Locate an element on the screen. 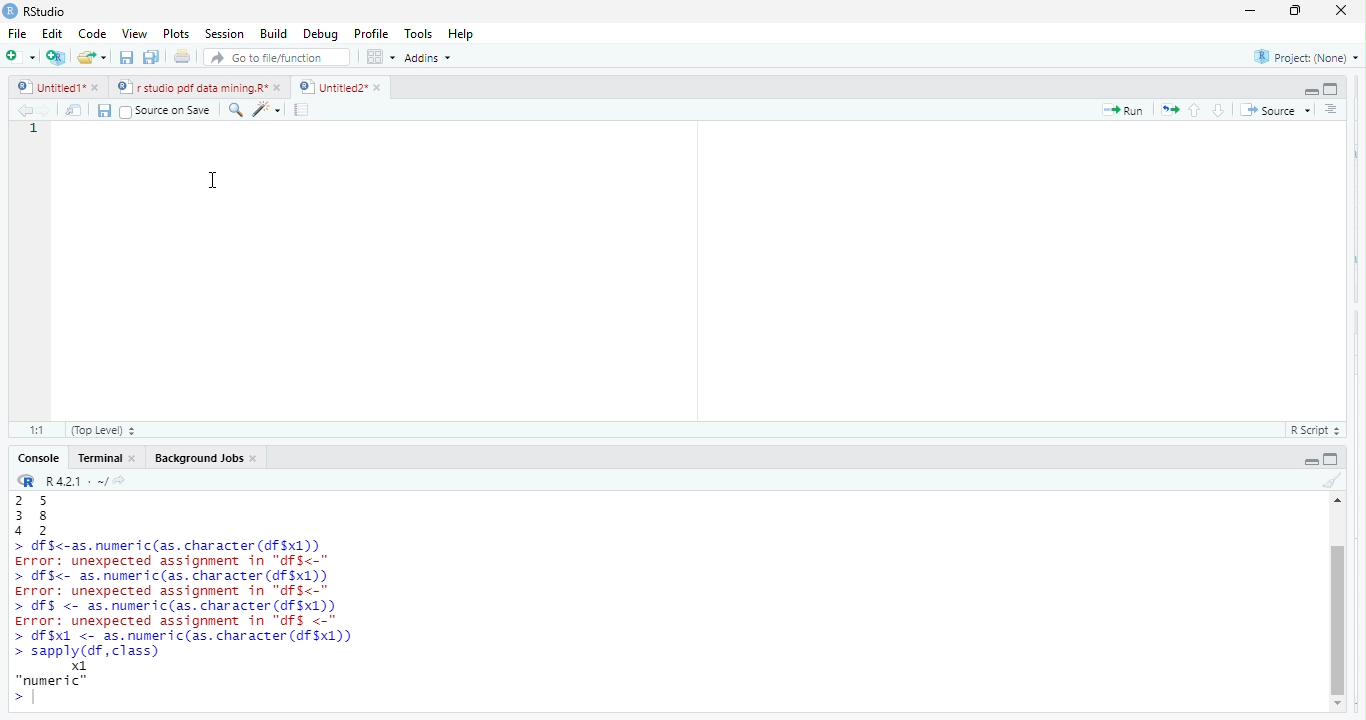  Console is located at coordinates (41, 458).